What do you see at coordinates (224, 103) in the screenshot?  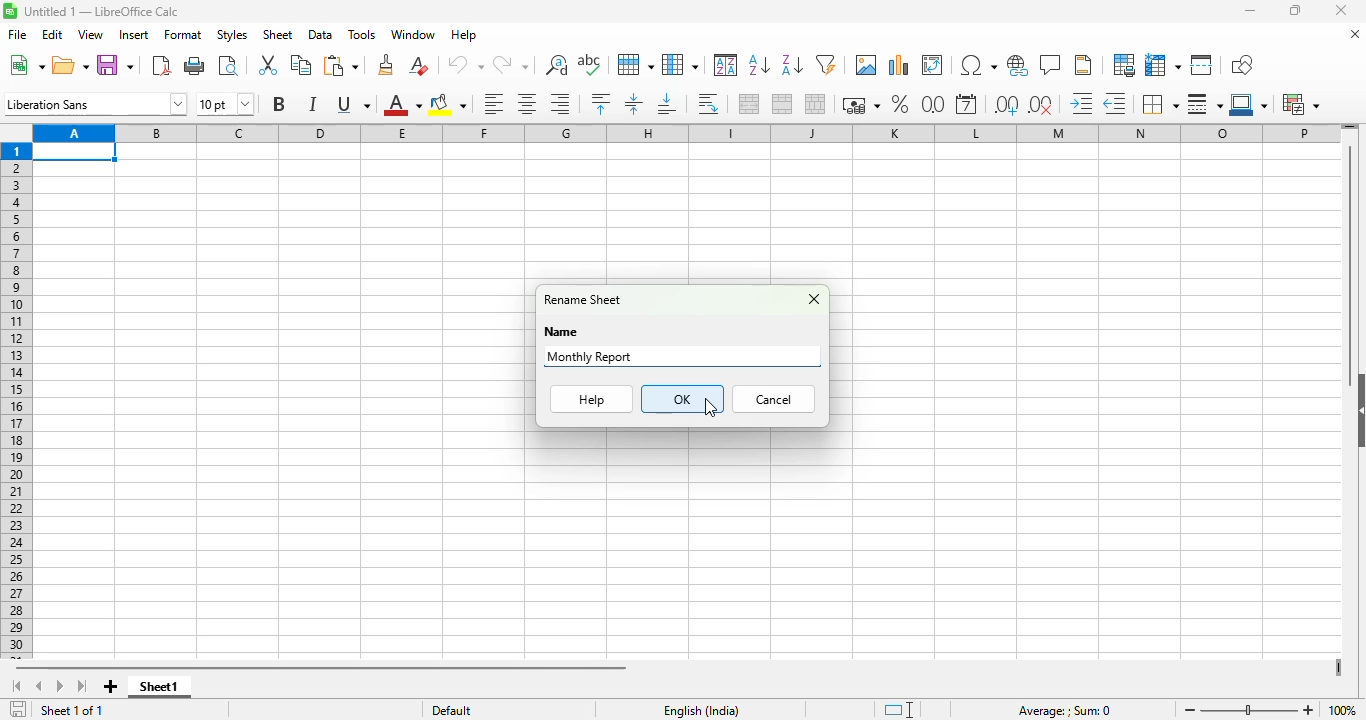 I see `font size` at bounding box center [224, 103].